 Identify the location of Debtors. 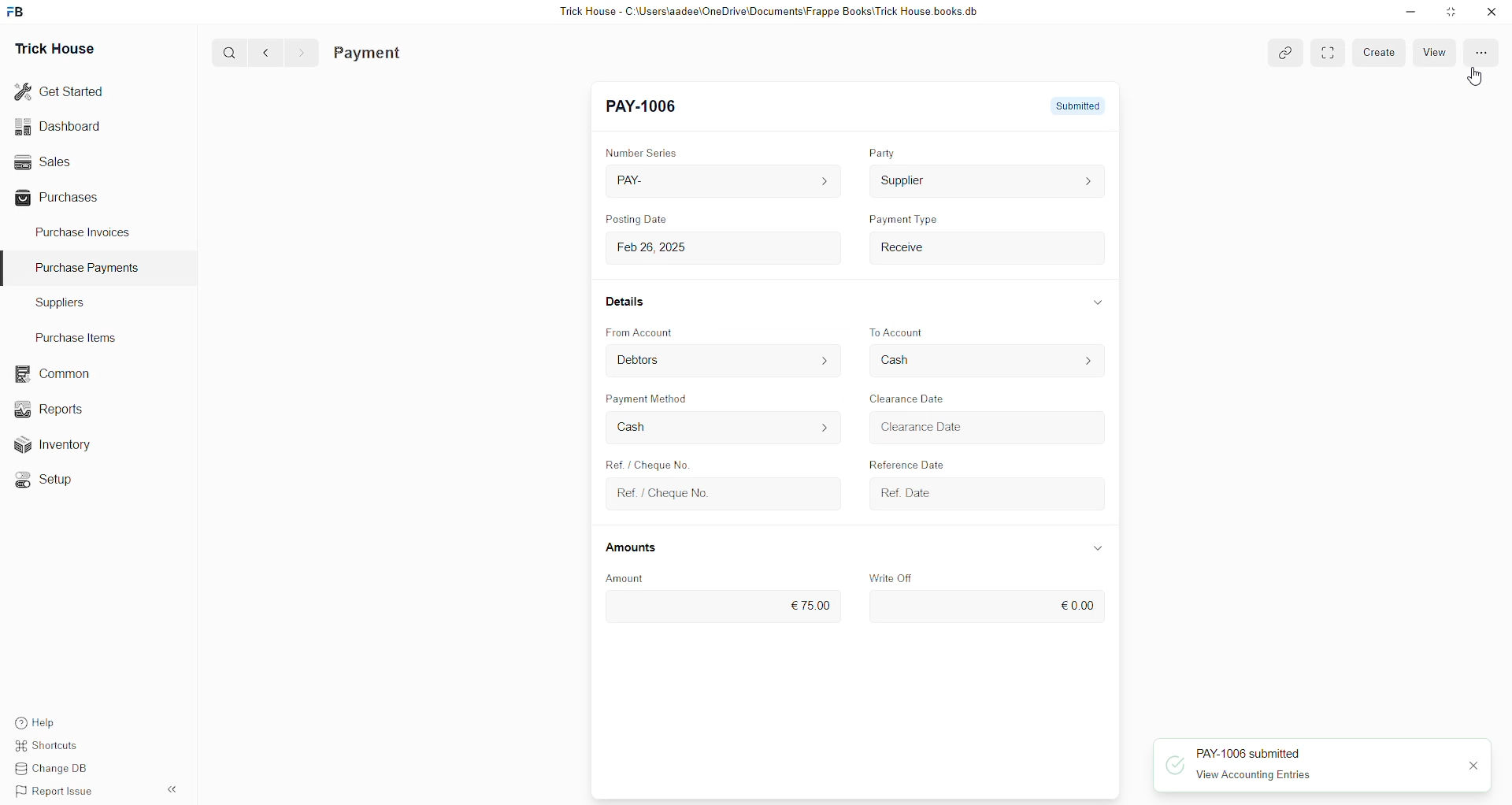
(723, 360).